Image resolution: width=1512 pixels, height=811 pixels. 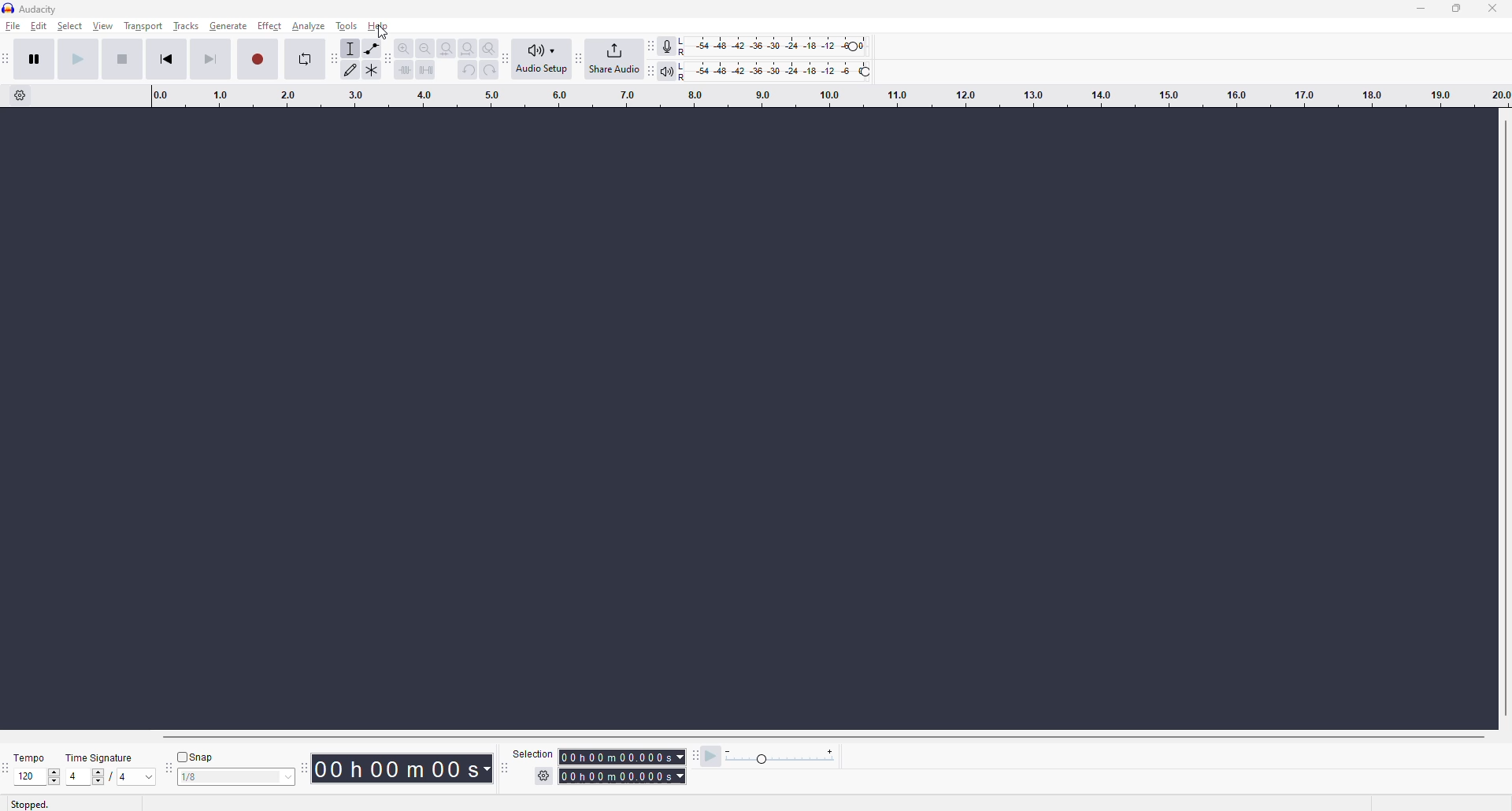 I want to click on audacity tools toolbar, so click(x=332, y=57).